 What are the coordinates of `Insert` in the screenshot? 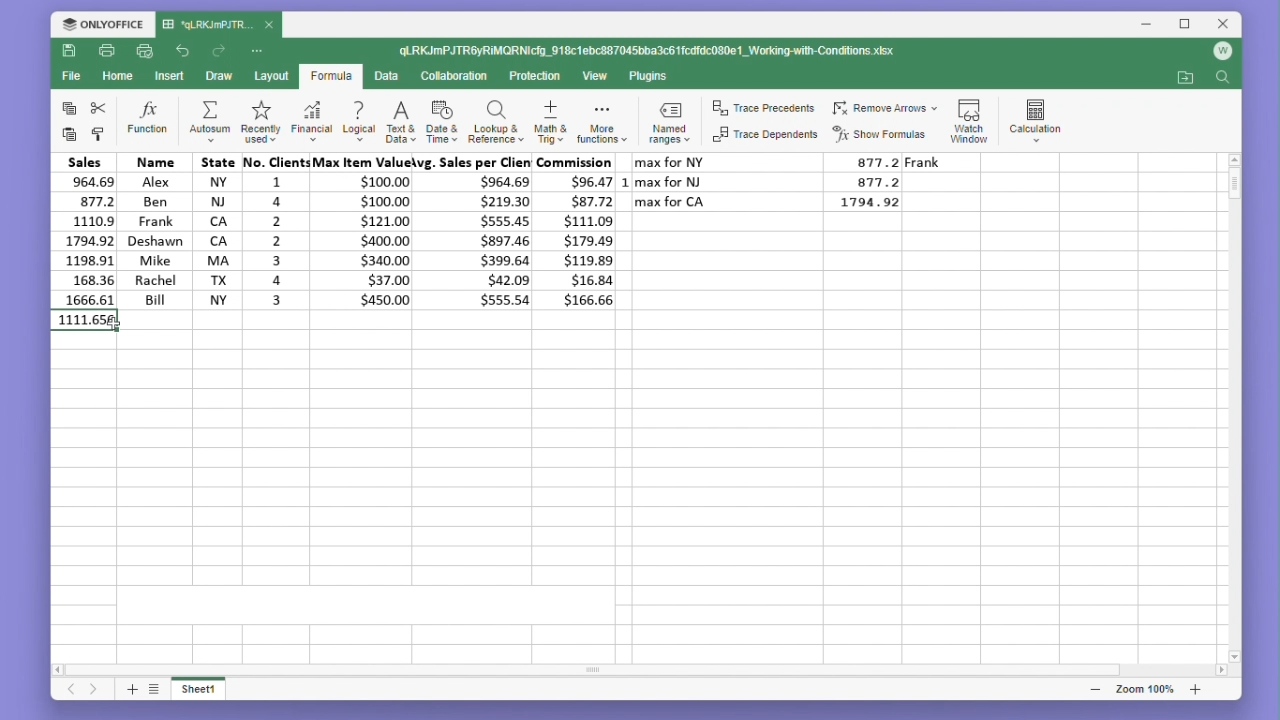 It's located at (166, 76).